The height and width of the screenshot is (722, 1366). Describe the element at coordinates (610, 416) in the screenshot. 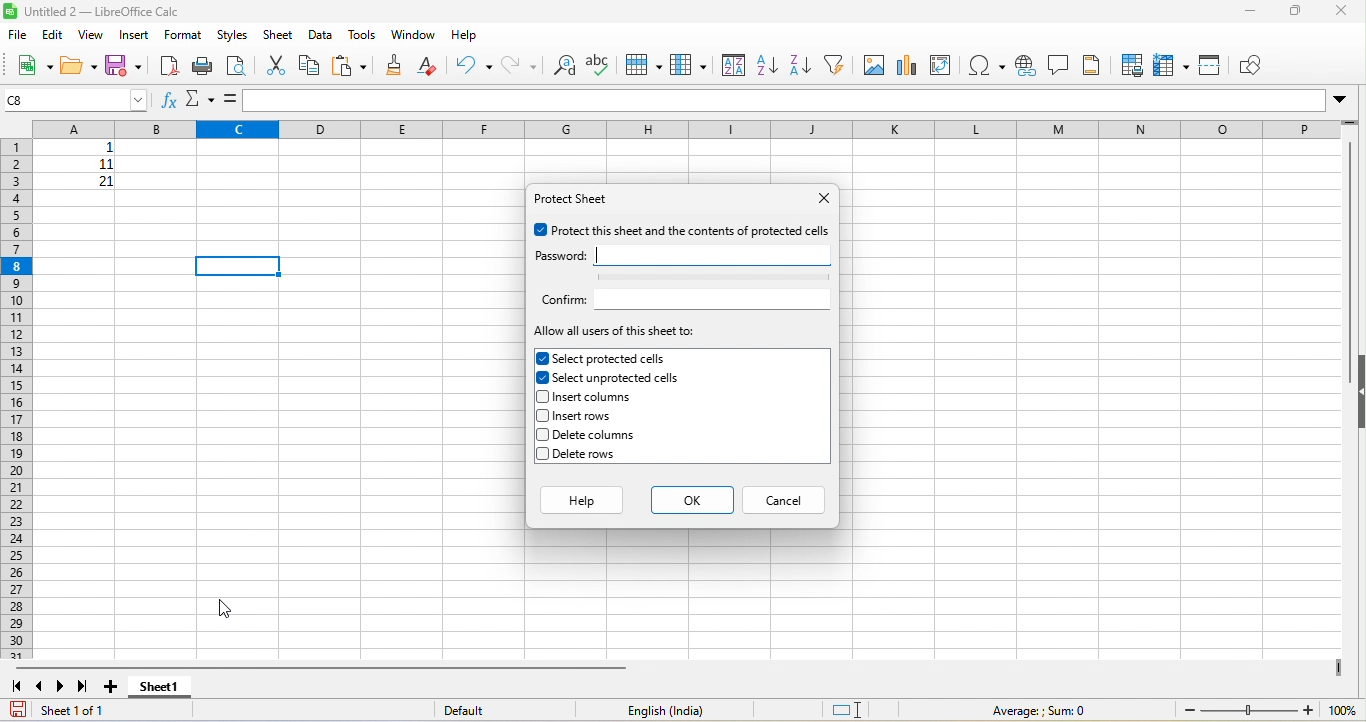

I see `insert rows` at that location.